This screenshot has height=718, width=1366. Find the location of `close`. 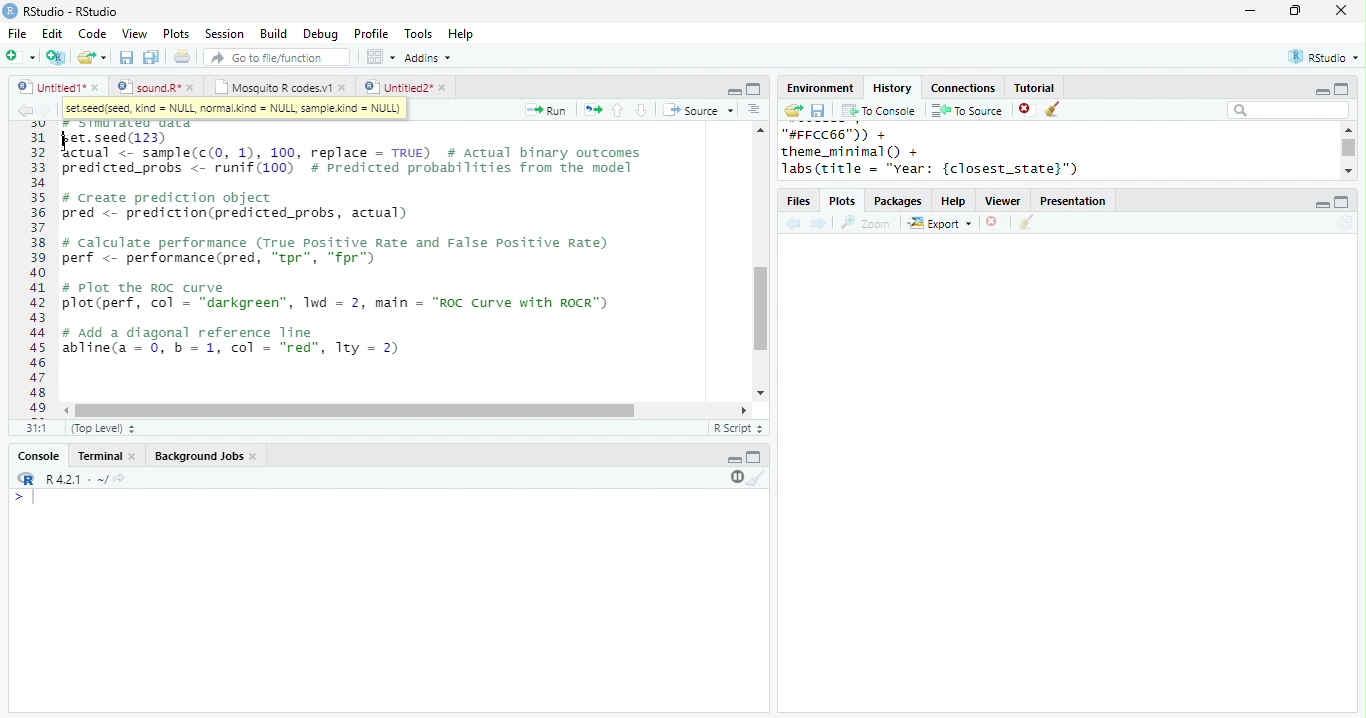

close is located at coordinates (1342, 10).